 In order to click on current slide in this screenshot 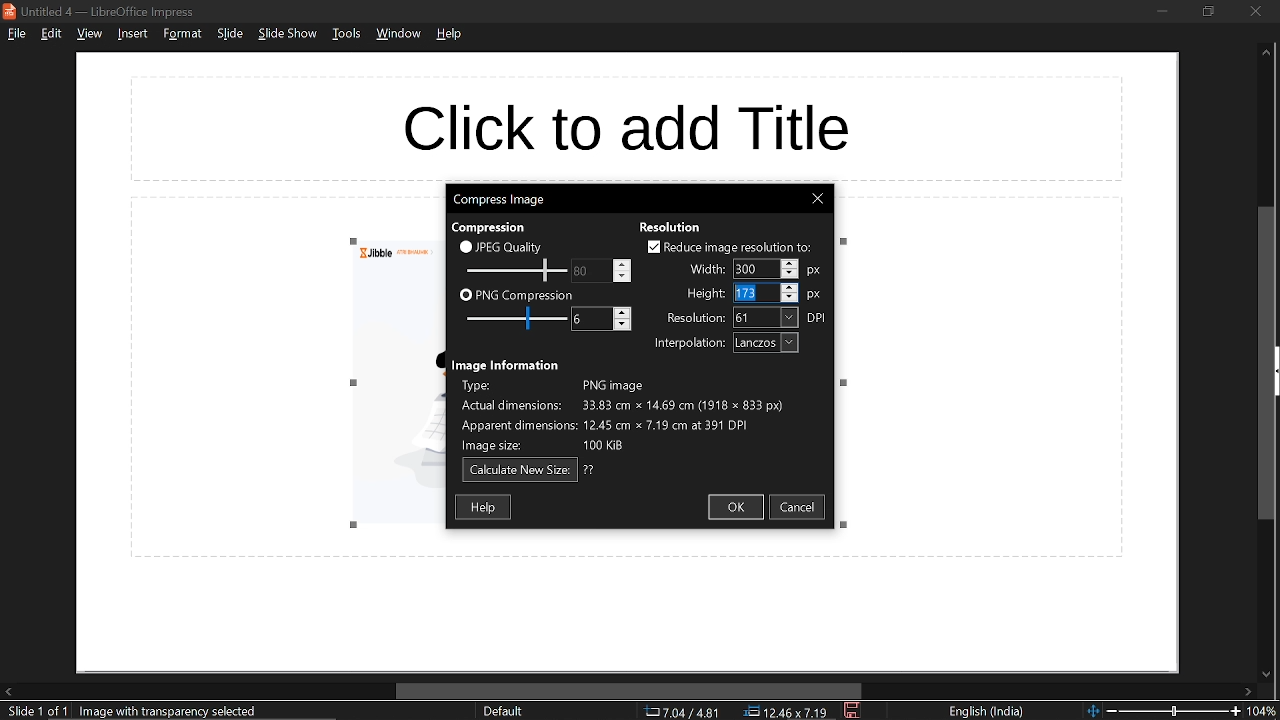, I will do `click(33, 712)`.